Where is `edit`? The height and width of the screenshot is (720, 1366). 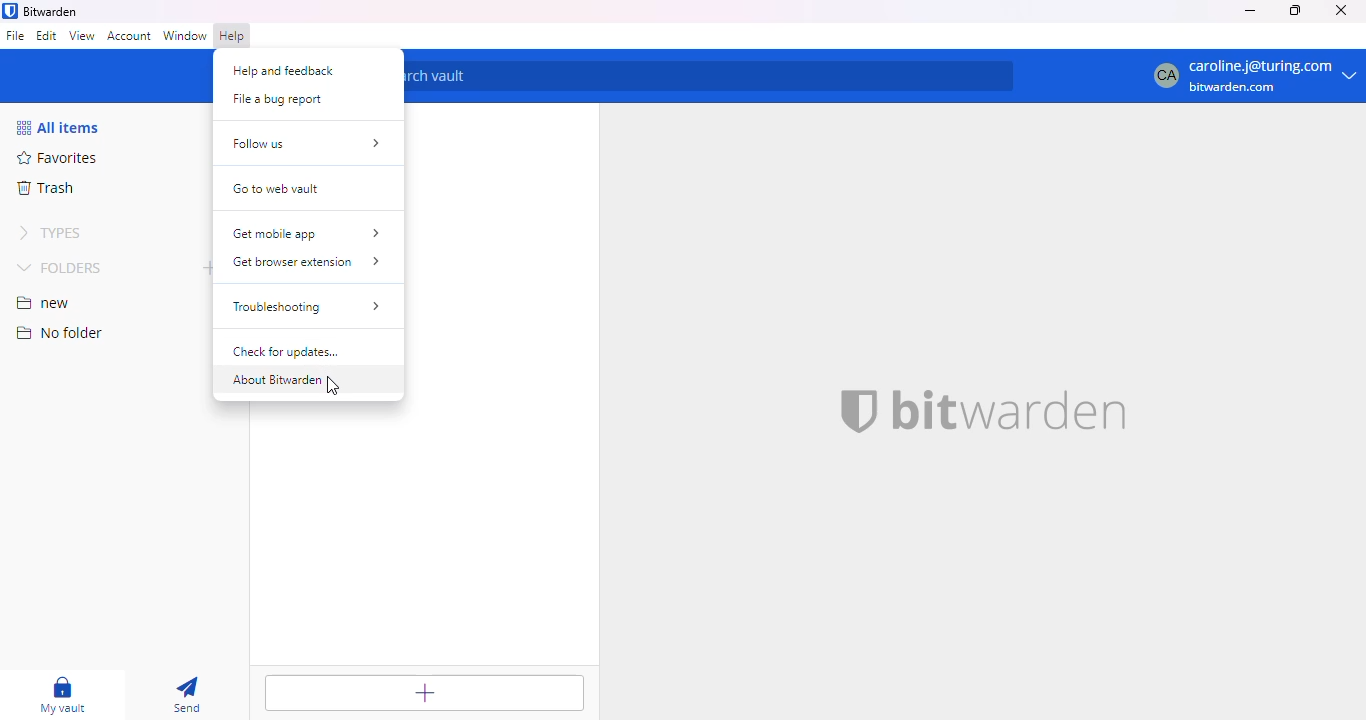 edit is located at coordinates (47, 35).